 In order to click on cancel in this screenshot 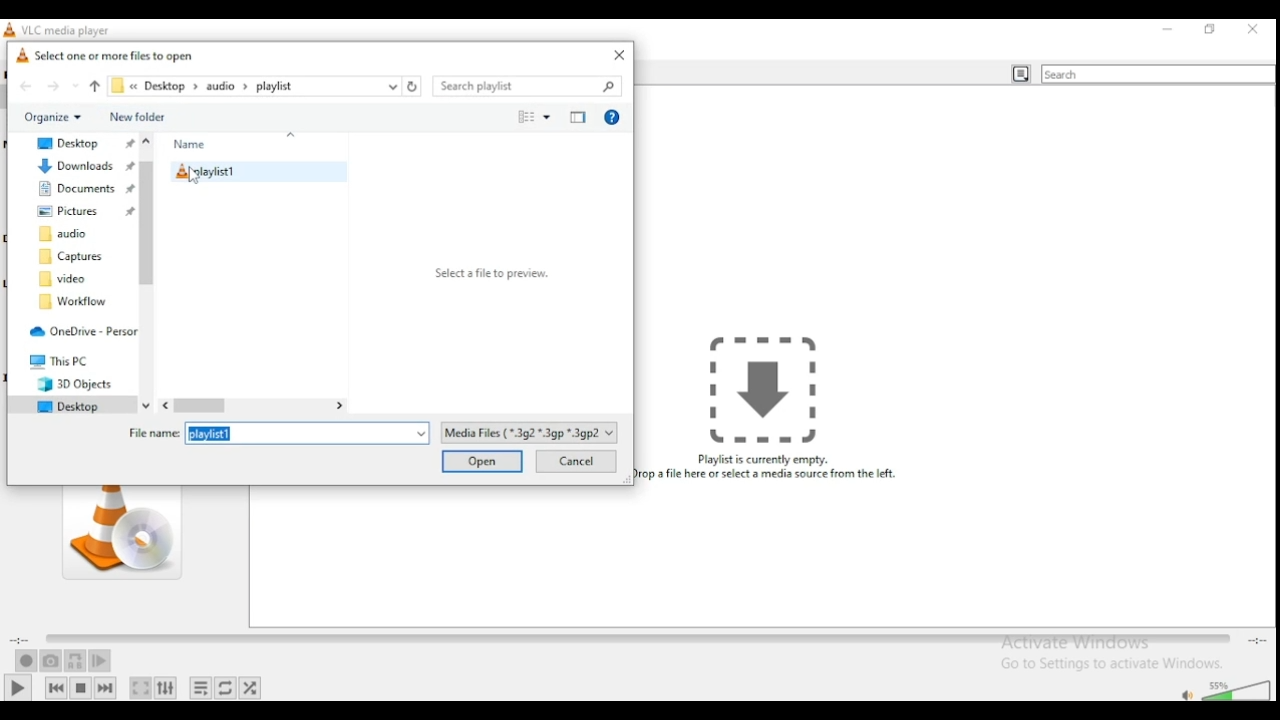, I will do `click(579, 462)`.